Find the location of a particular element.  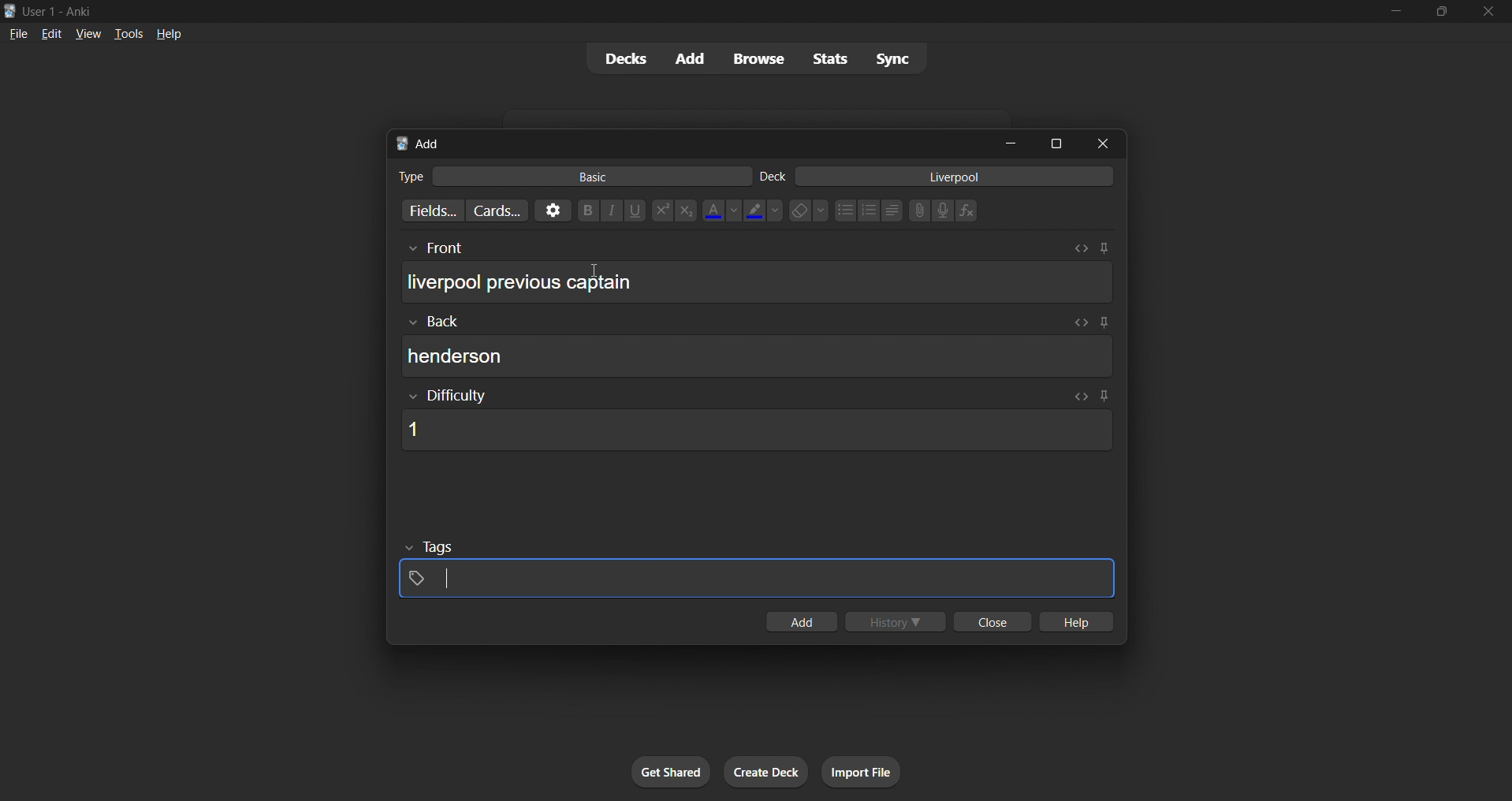

add card title bar is located at coordinates (689, 141).